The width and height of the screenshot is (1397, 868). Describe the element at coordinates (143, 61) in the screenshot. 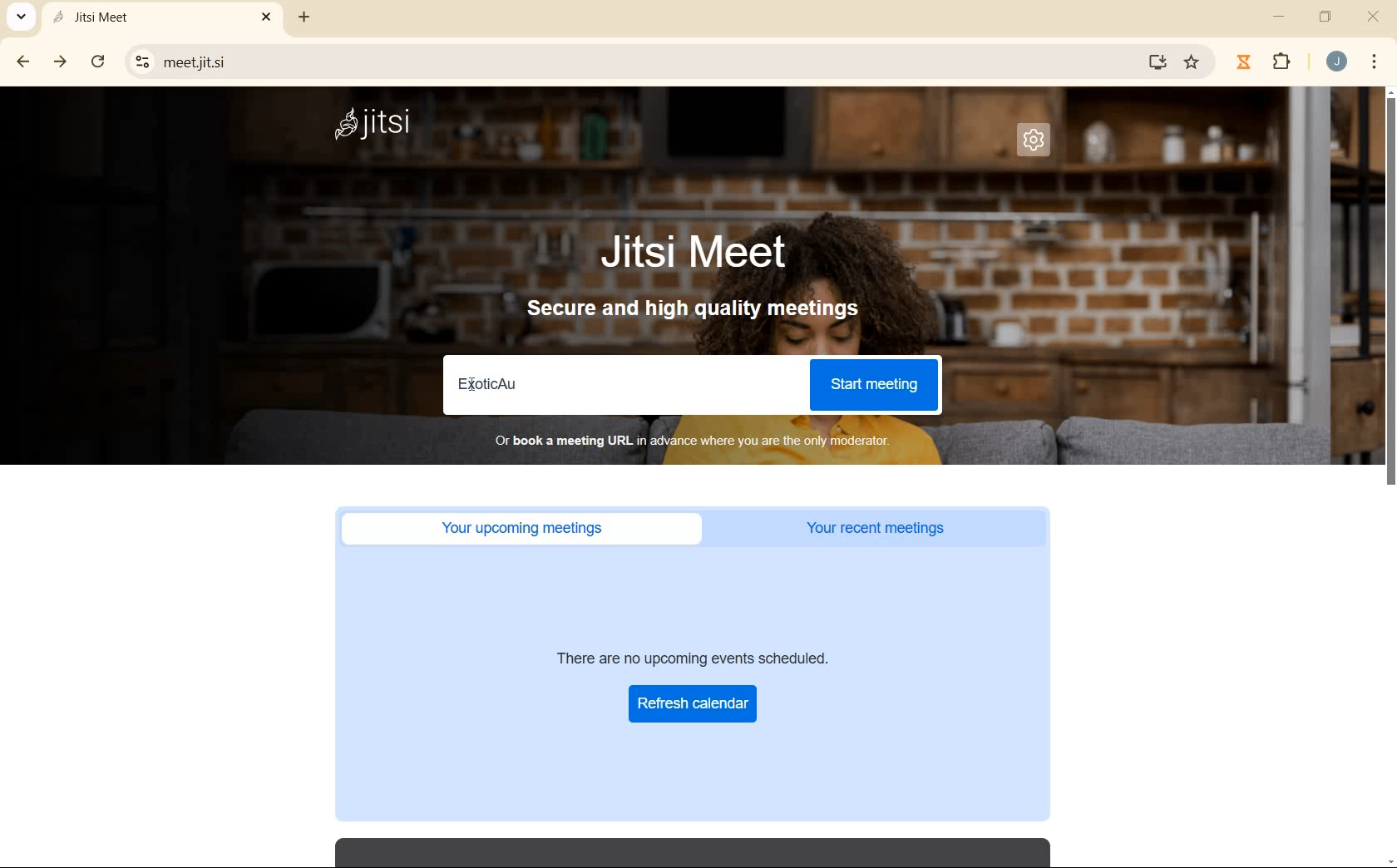

I see `View site information` at that location.